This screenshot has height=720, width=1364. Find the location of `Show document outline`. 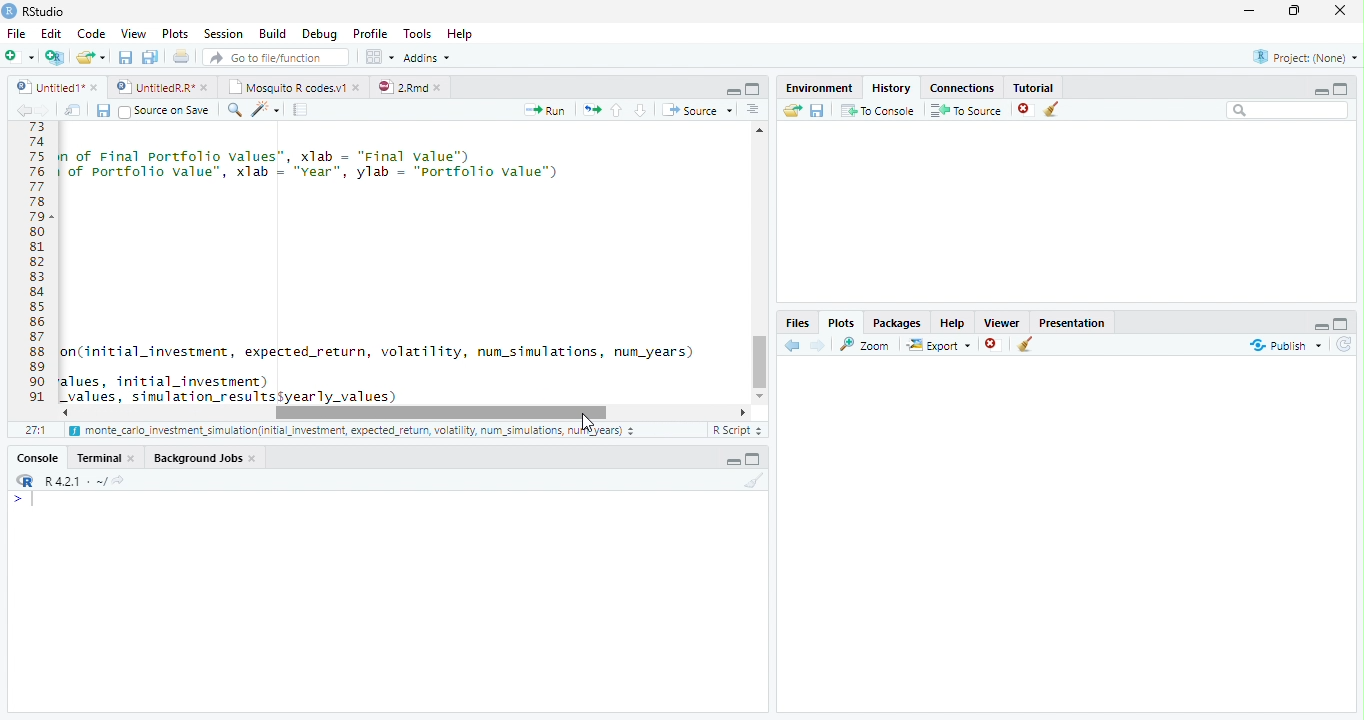

Show document outline is located at coordinates (753, 111).